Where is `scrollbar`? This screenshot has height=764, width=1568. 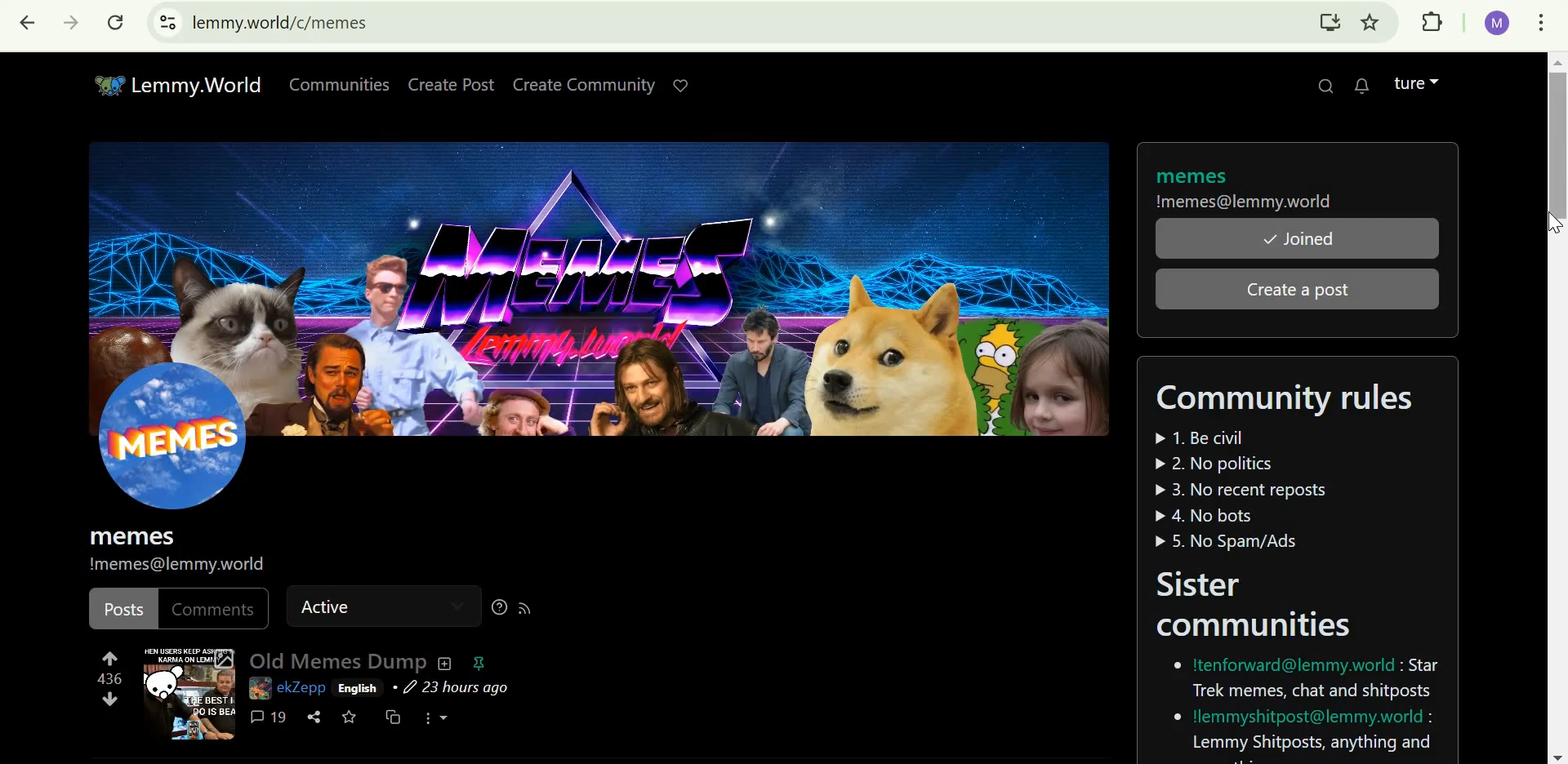 scrollbar is located at coordinates (1554, 407).